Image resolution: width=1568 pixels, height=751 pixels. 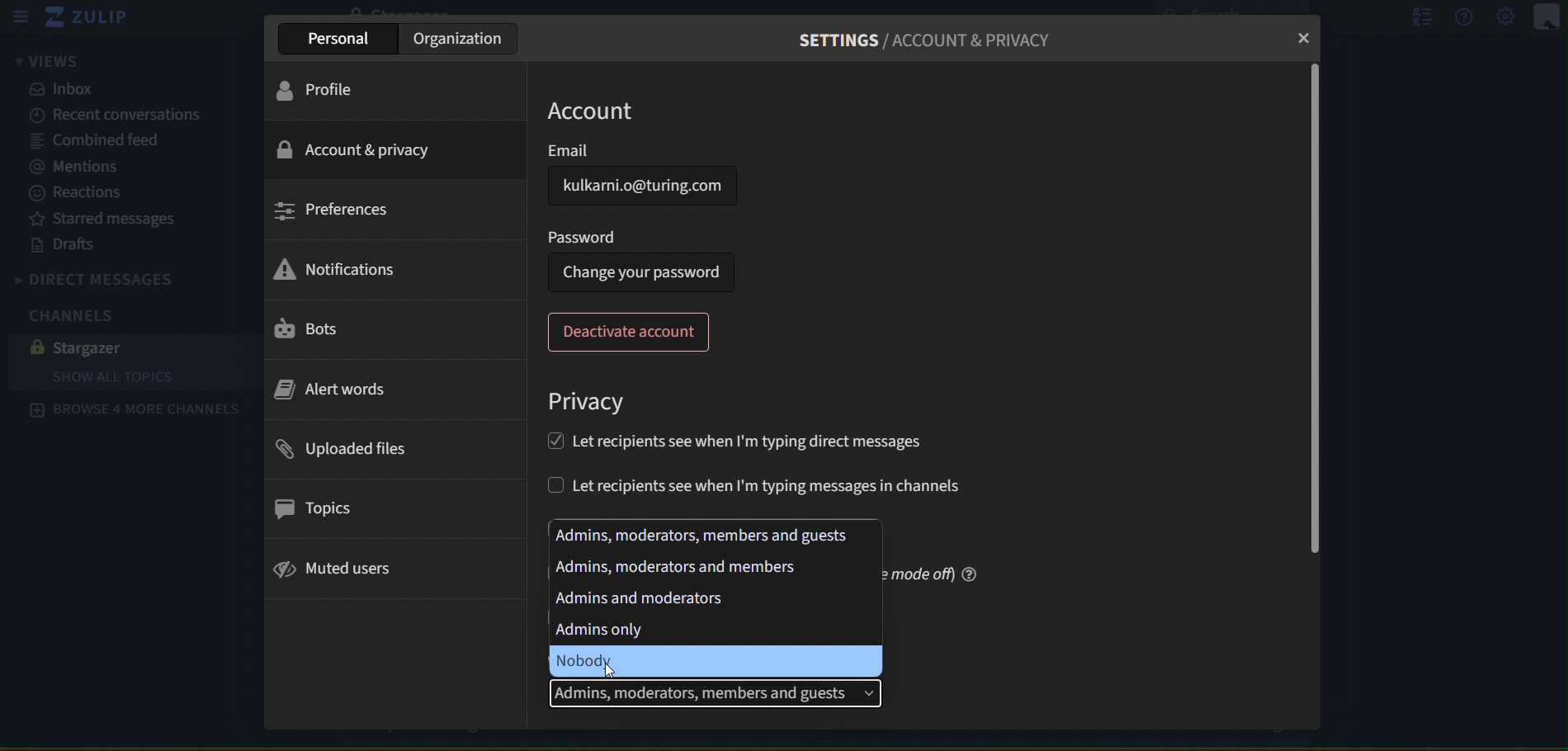 I want to click on mins and moderators, so click(x=700, y=597).